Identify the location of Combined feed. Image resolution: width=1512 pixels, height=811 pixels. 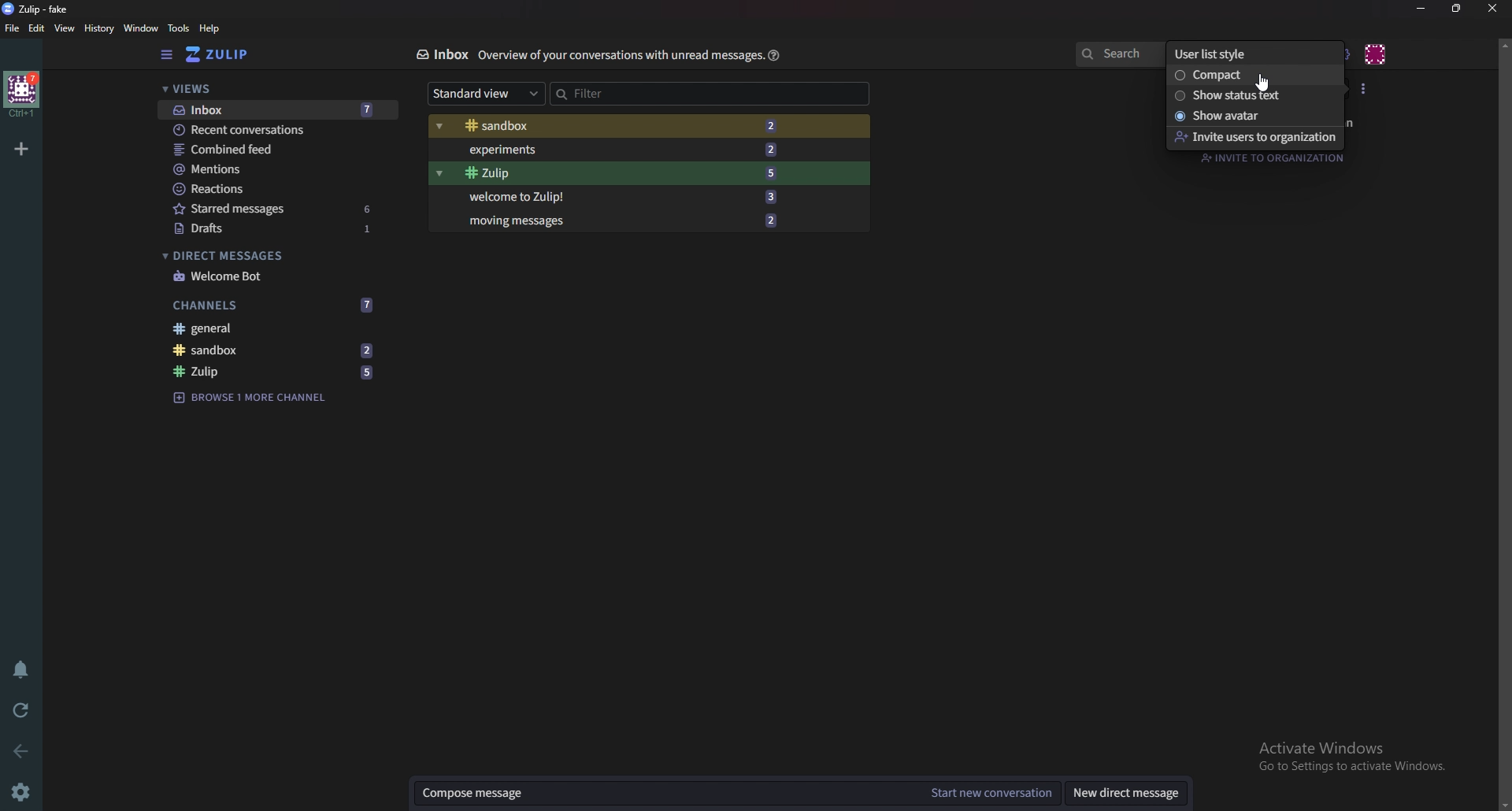
(280, 149).